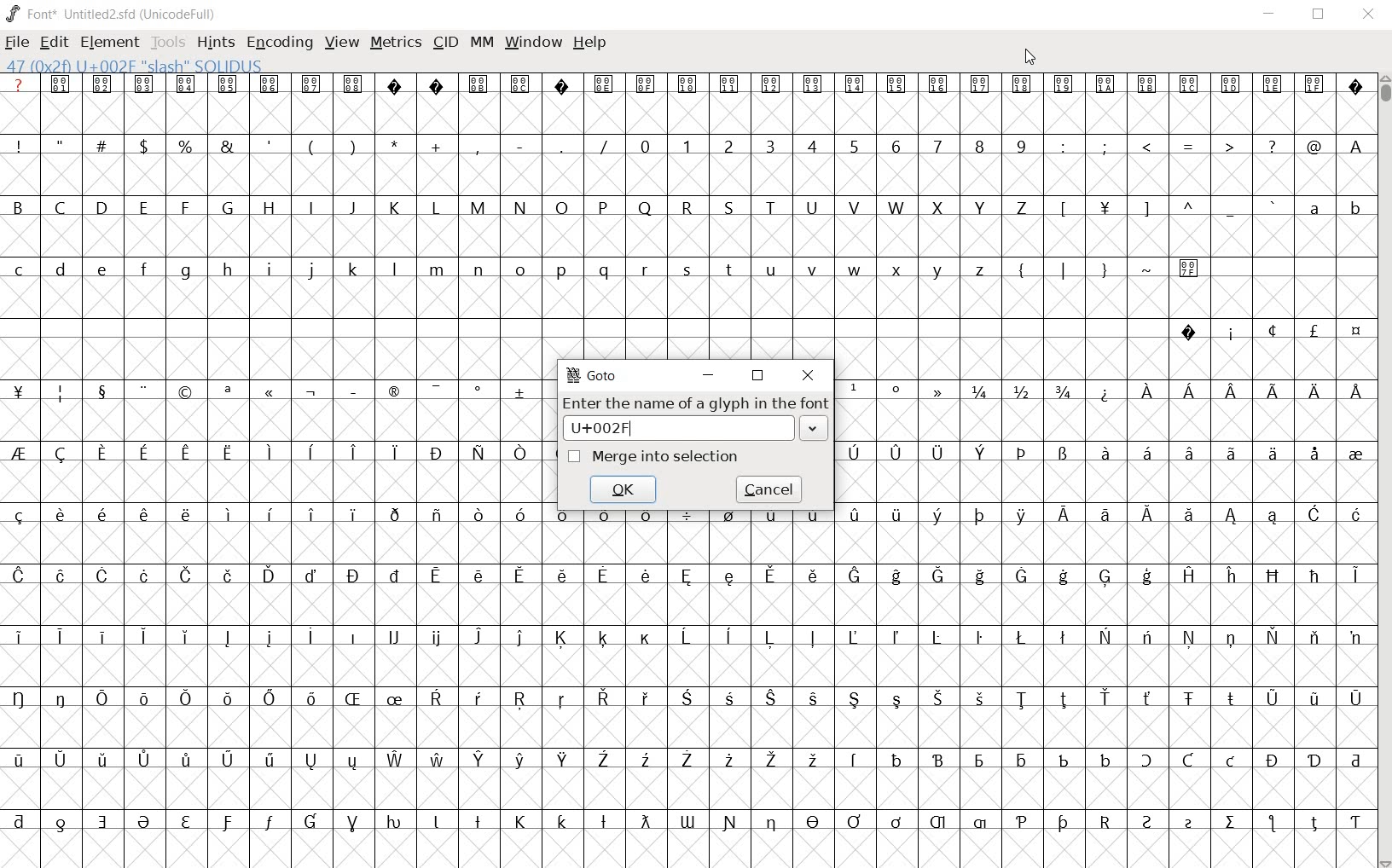 Image resolution: width=1392 pixels, height=868 pixels. What do you see at coordinates (1102, 357) in the screenshot?
I see `empty cells` at bounding box center [1102, 357].